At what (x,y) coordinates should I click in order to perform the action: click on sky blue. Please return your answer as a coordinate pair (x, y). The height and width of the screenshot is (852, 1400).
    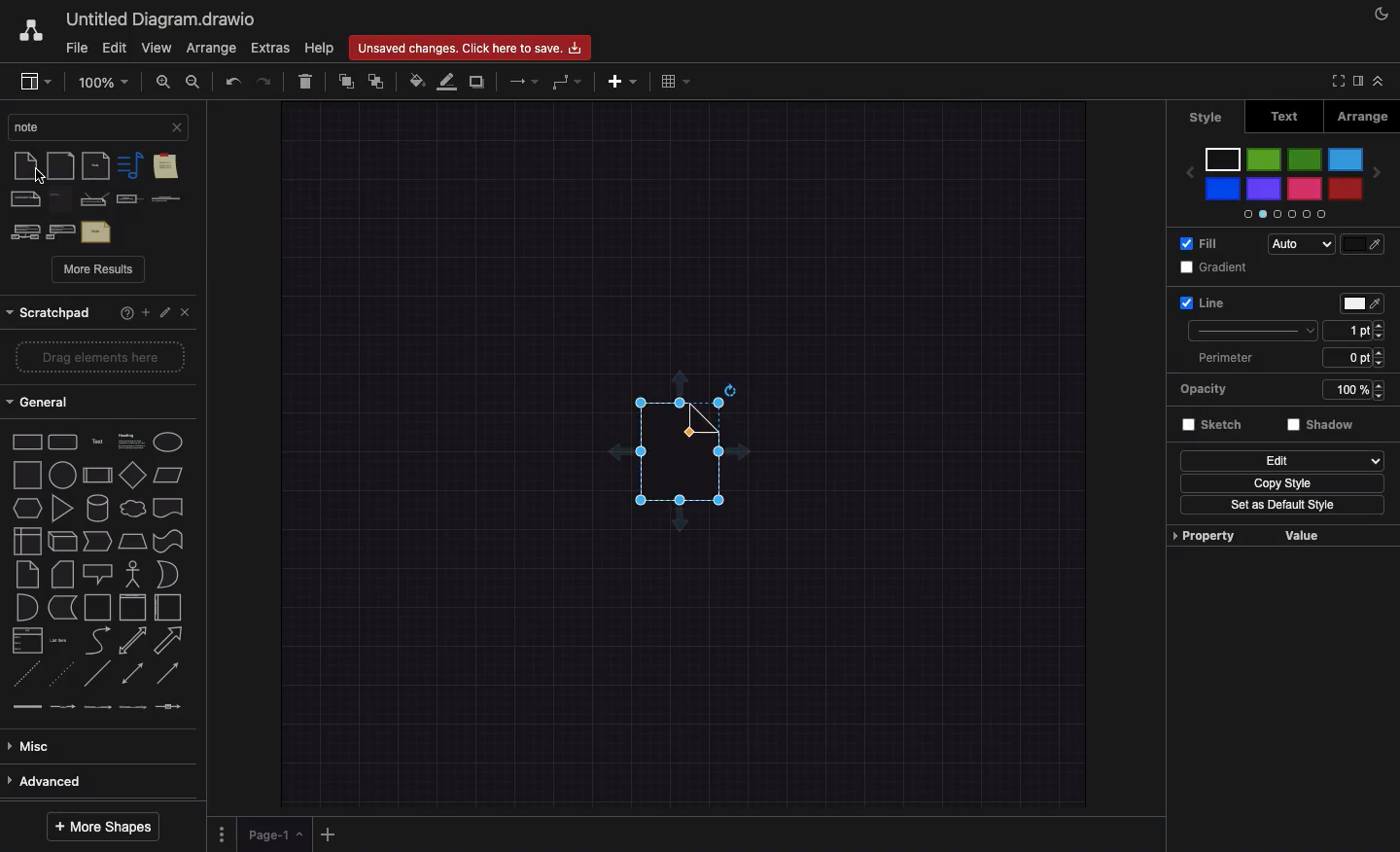
    Looking at the image, I should click on (1346, 160).